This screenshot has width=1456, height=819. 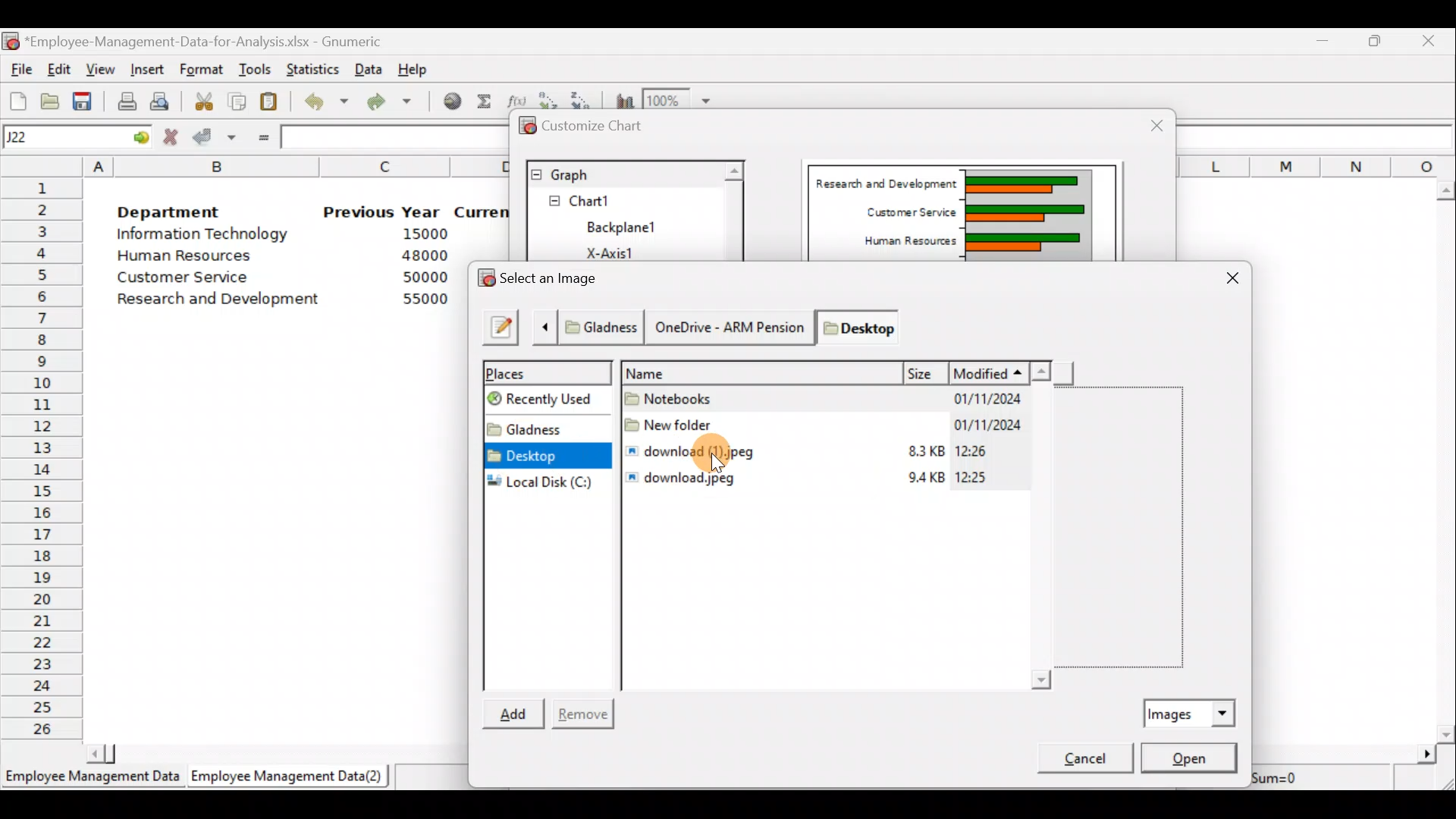 I want to click on Sort in Ascending order, so click(x=549, y=98).